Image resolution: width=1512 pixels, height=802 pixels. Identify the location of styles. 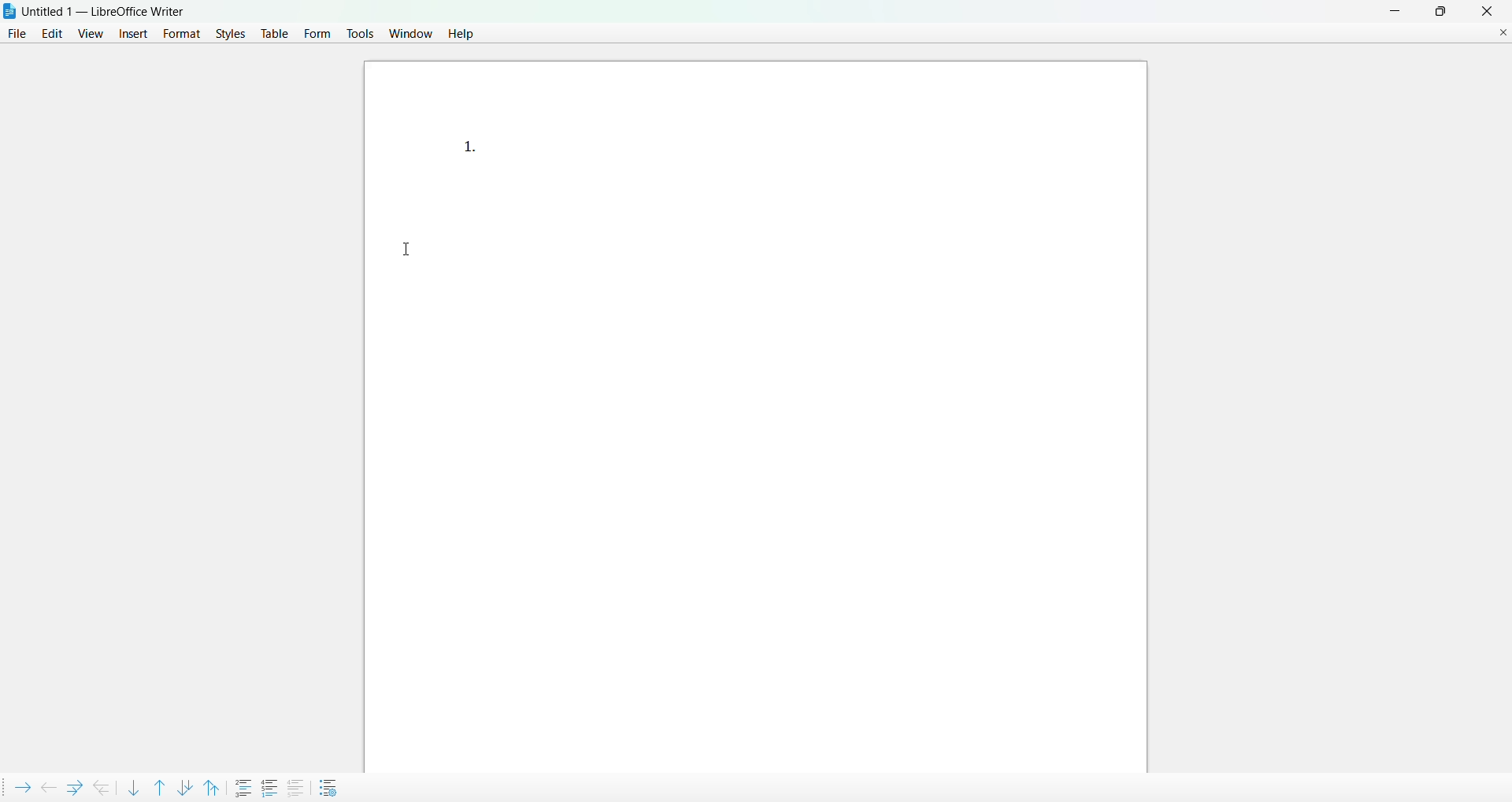
(228, 35).